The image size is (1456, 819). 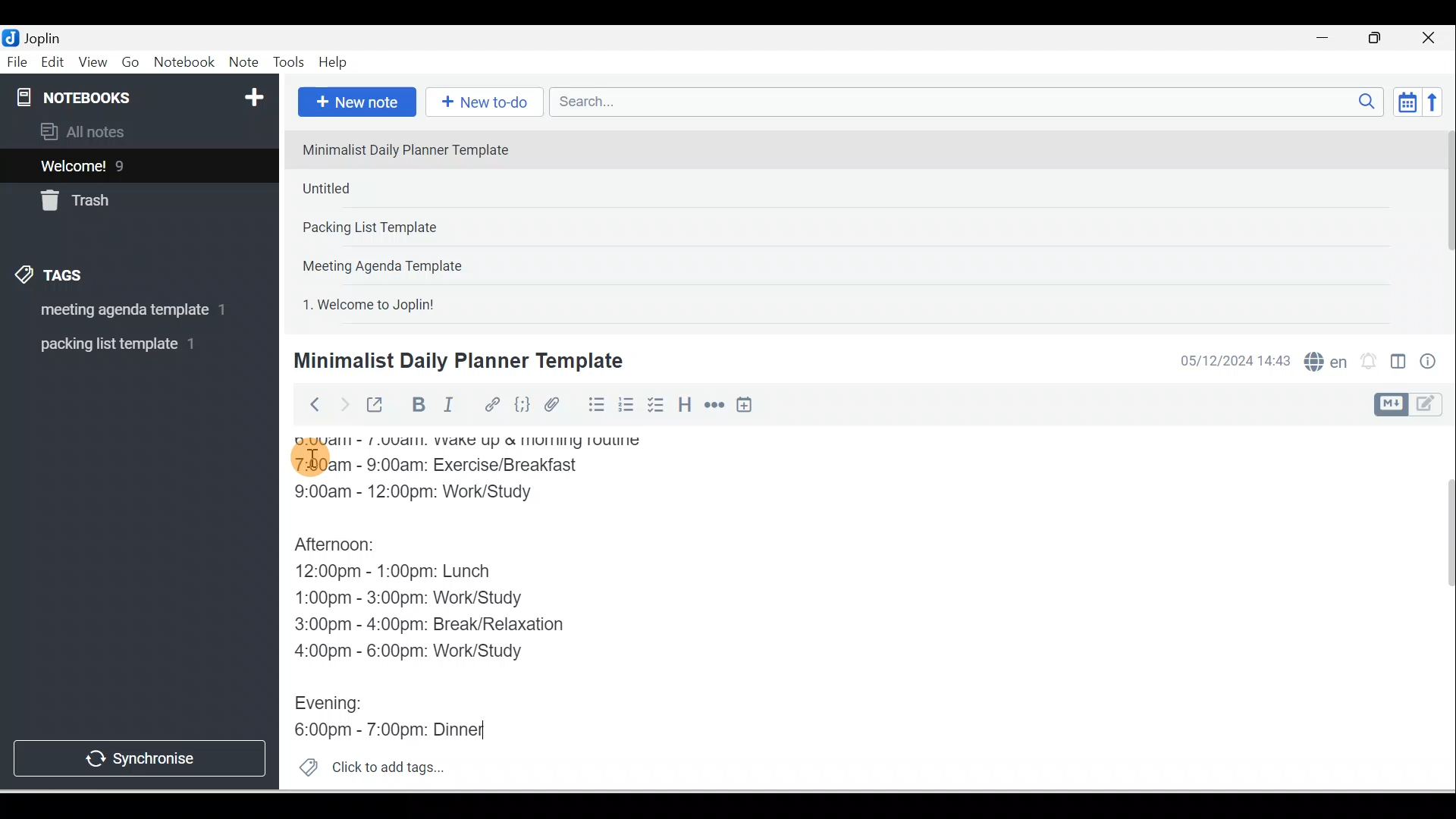 I want to click on Note 2, so click(x=401, y=188).